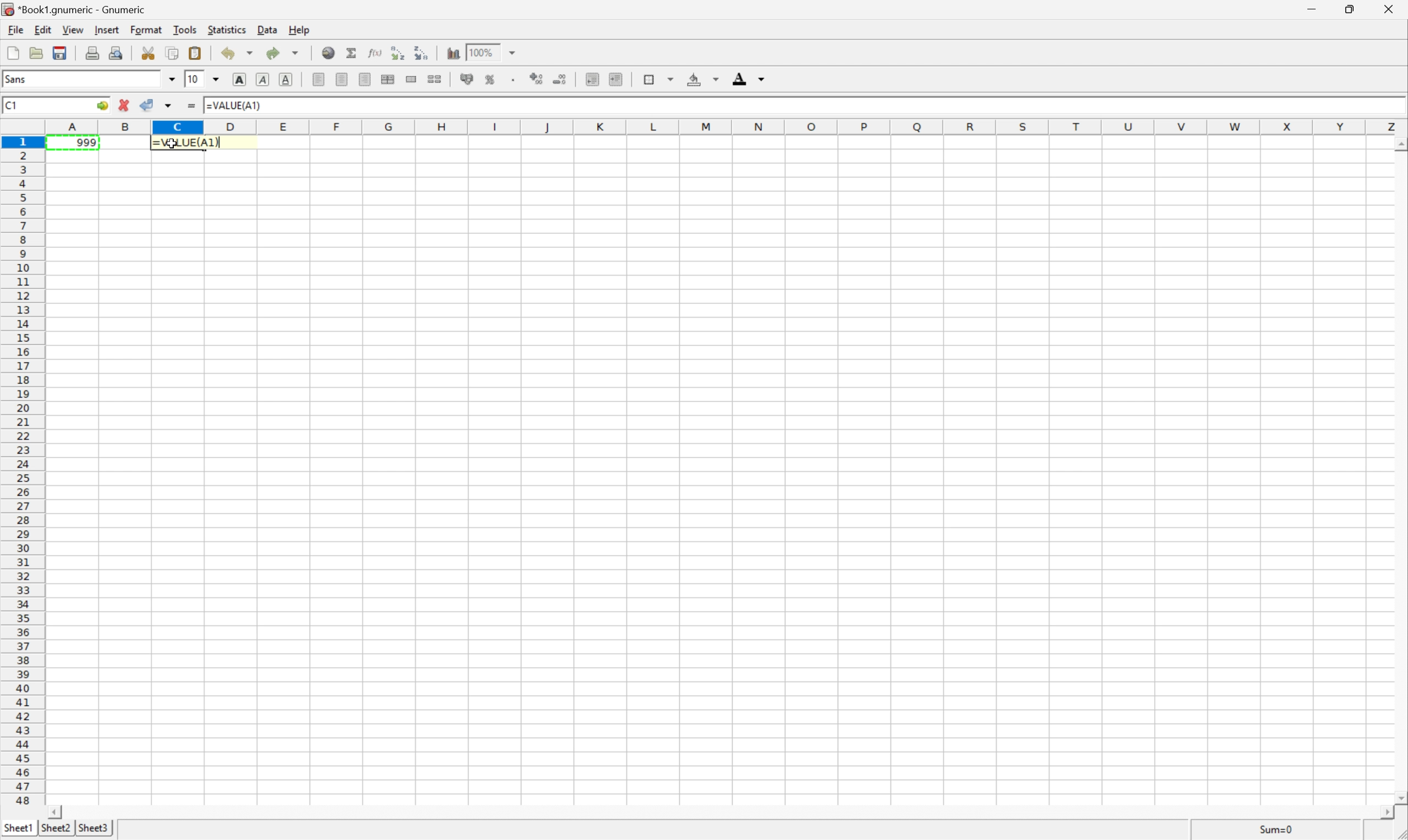 This screenshot has width=1408, height=840. Describe the element at coordinates (1391, 10) in the screenshot. I see `close` at that location.